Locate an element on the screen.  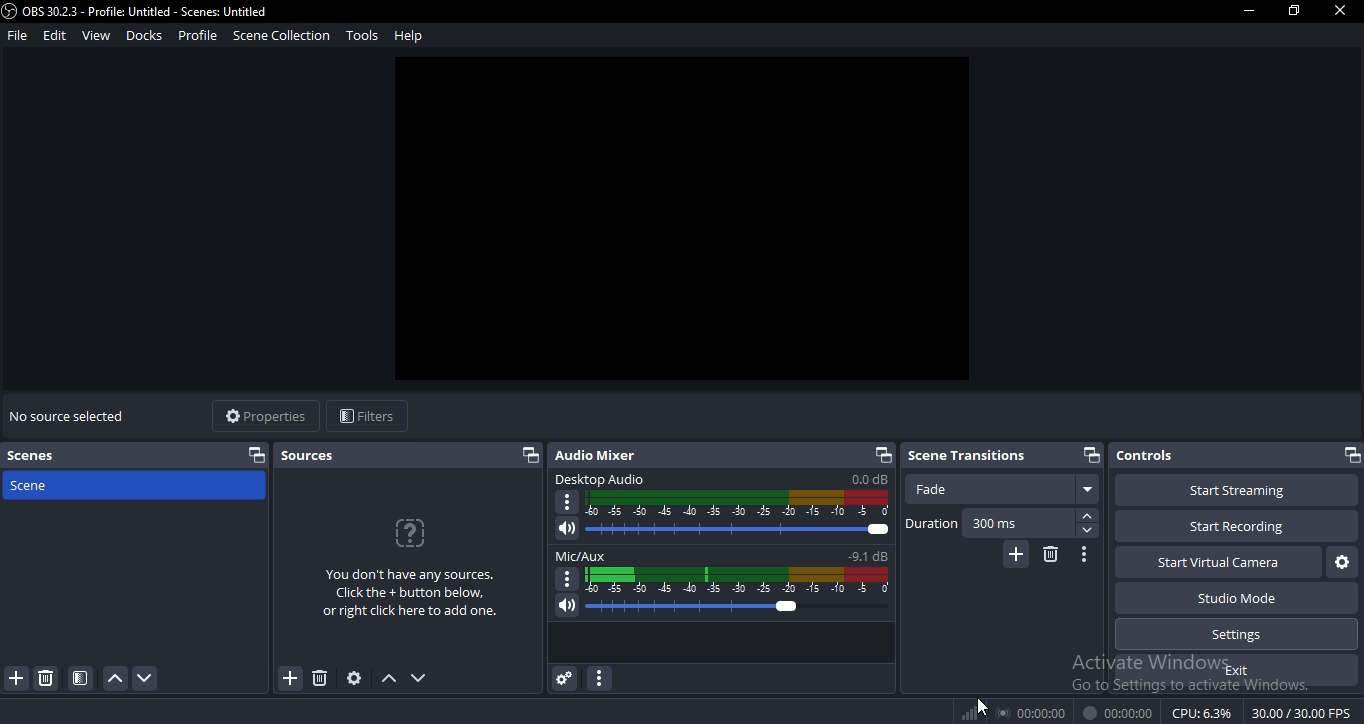
 is located at coordinates (562, 679).